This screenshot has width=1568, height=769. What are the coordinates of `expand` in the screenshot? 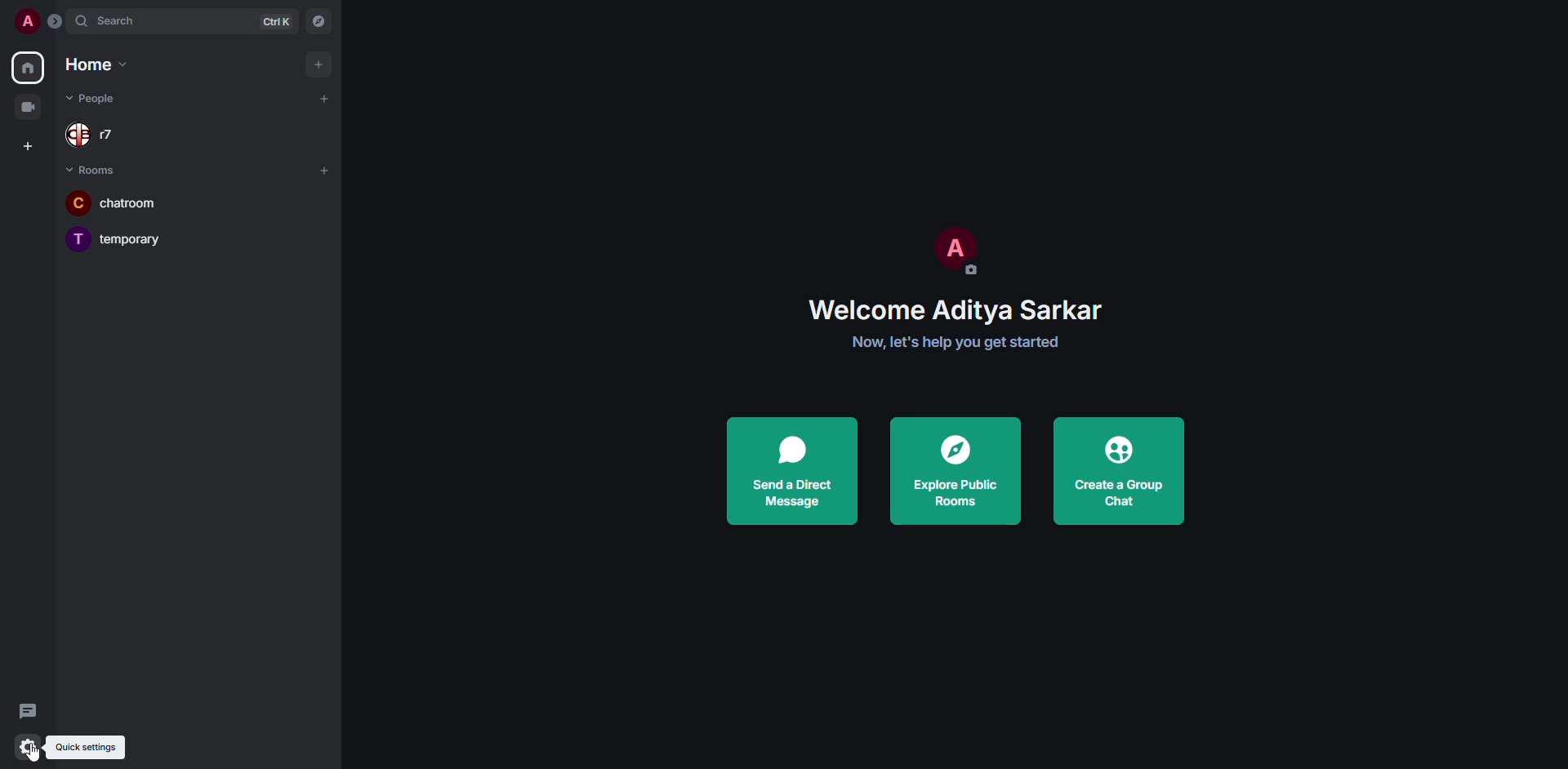 It's located at (55, 20).